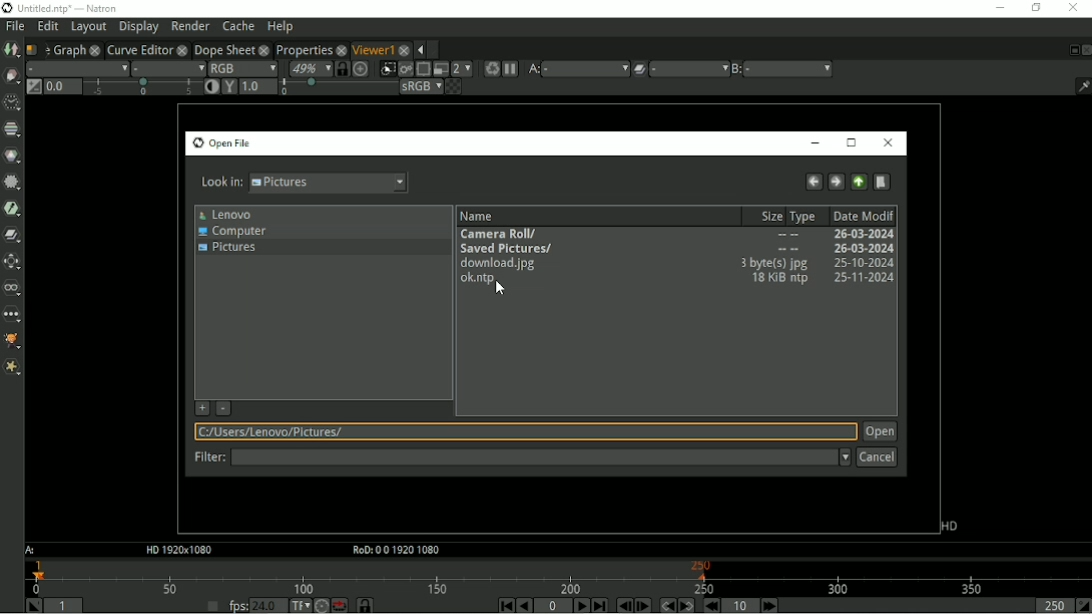  What do you see at coordinates (220, 143) in the screenshot?
I see `Open File` at bounding box center [220, 143].